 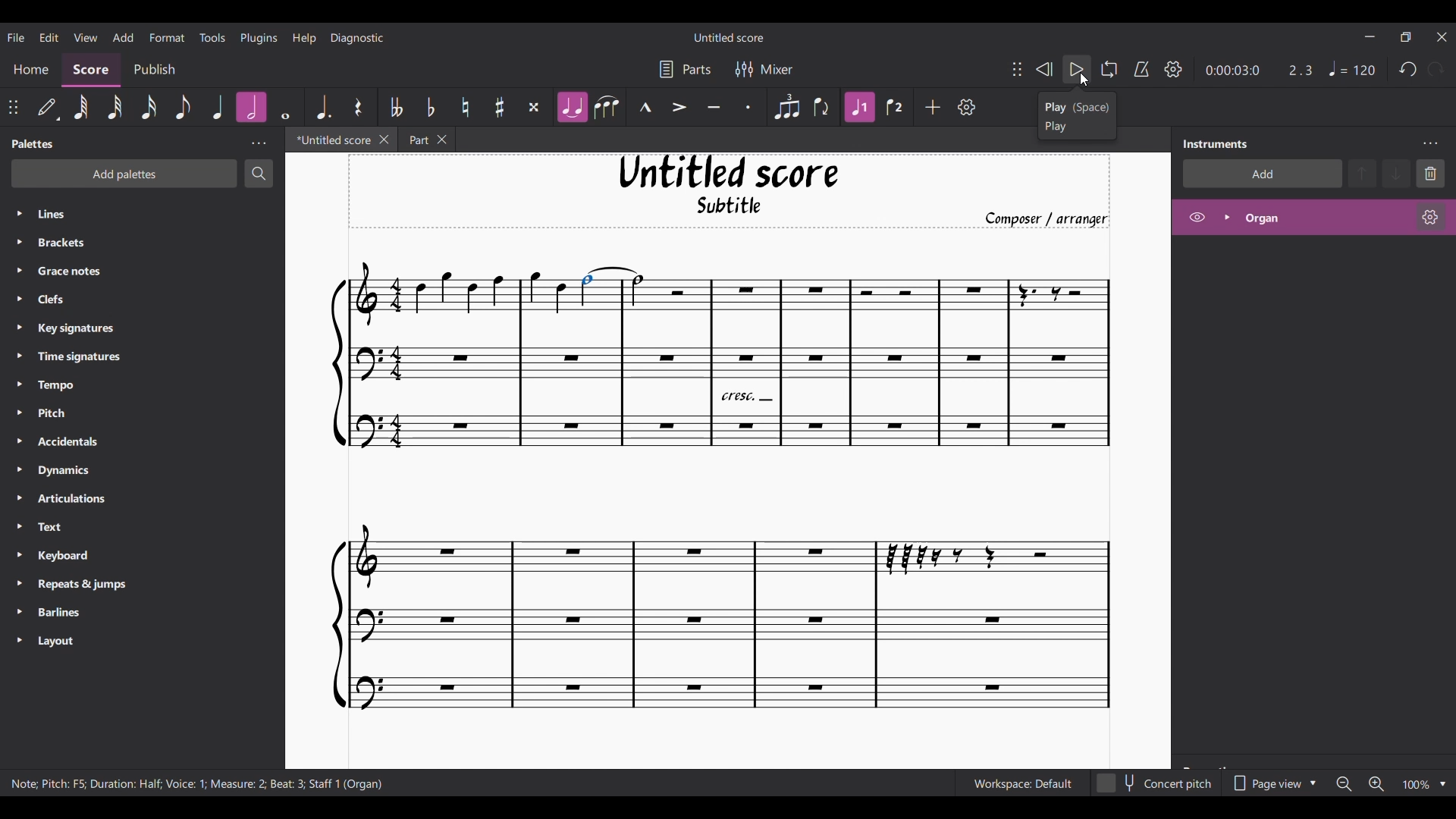 I want to click on Redo, so click(x=1435, y=70).